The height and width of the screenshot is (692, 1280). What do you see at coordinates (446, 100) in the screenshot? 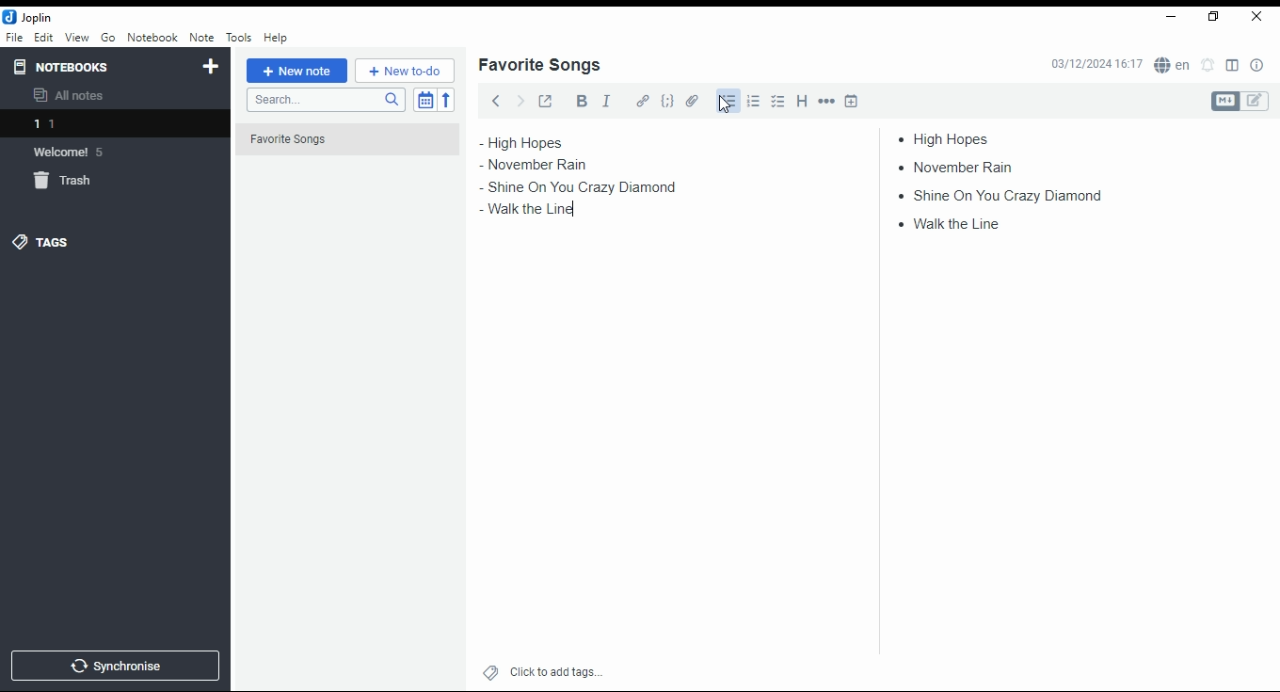
I see `reverse sort order` at bounding box center [446, 100].